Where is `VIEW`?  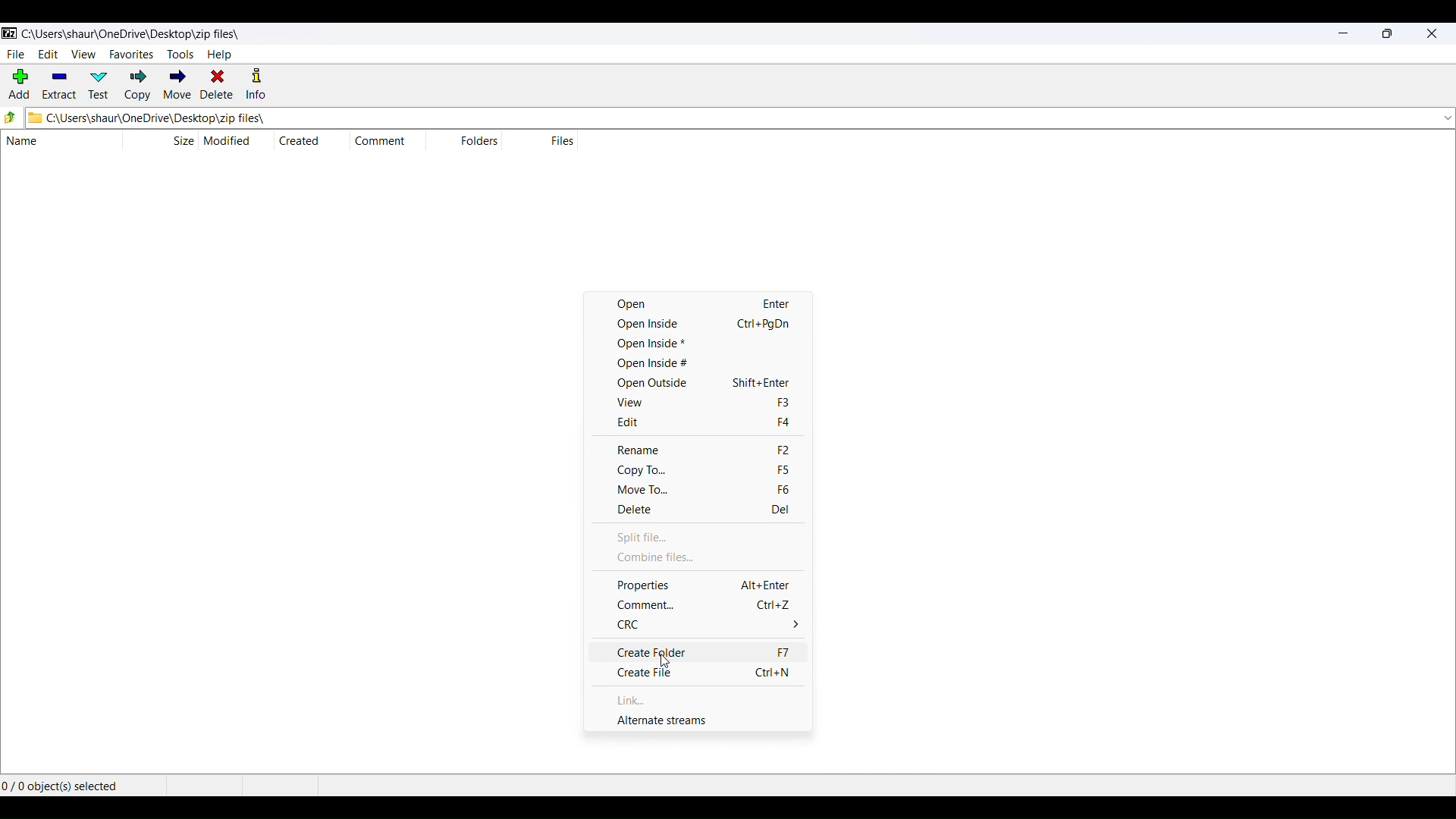 VIEW is located at coordinates (715, 403).